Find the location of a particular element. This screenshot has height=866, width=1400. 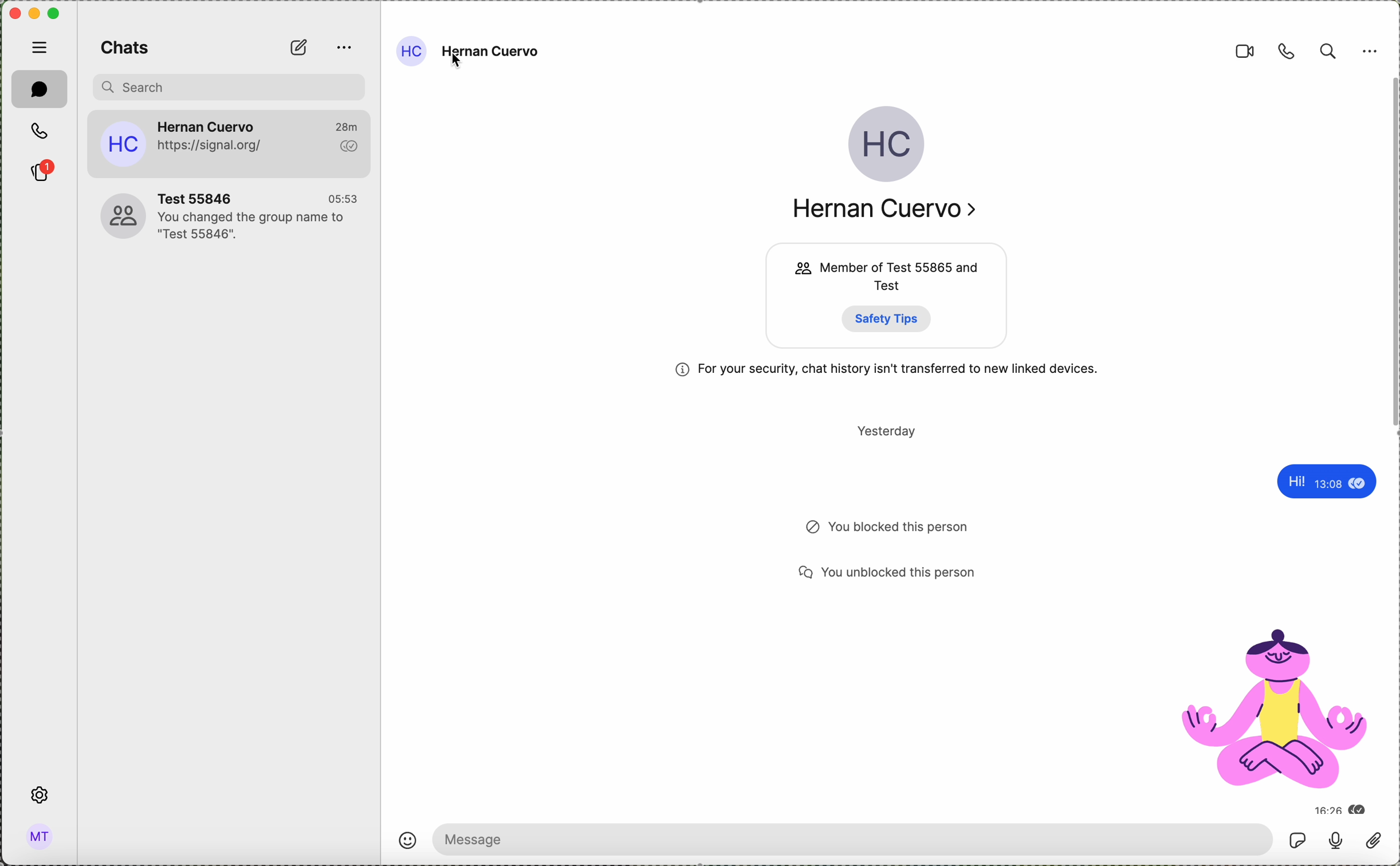

stories is located at coordinates (42, 171).